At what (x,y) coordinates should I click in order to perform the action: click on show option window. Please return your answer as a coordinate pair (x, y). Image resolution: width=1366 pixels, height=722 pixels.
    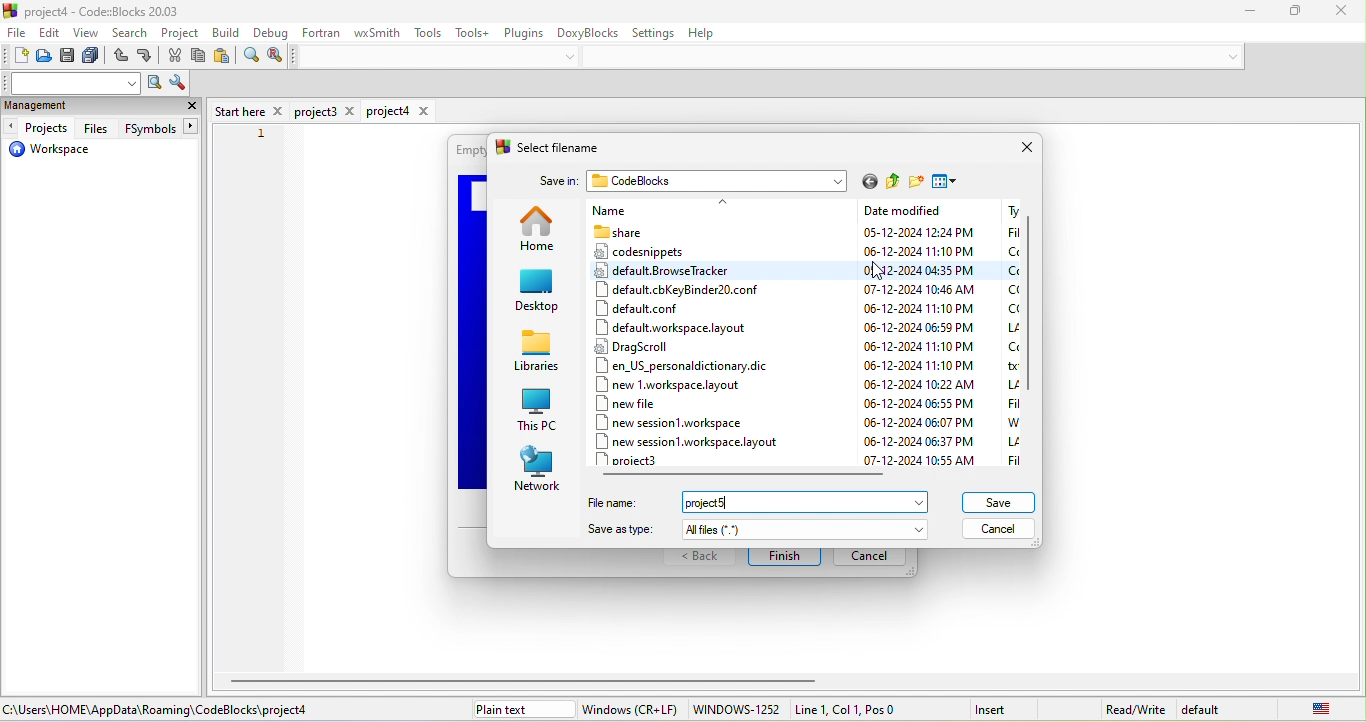
    Looking at the image, I should click on (177, 84).